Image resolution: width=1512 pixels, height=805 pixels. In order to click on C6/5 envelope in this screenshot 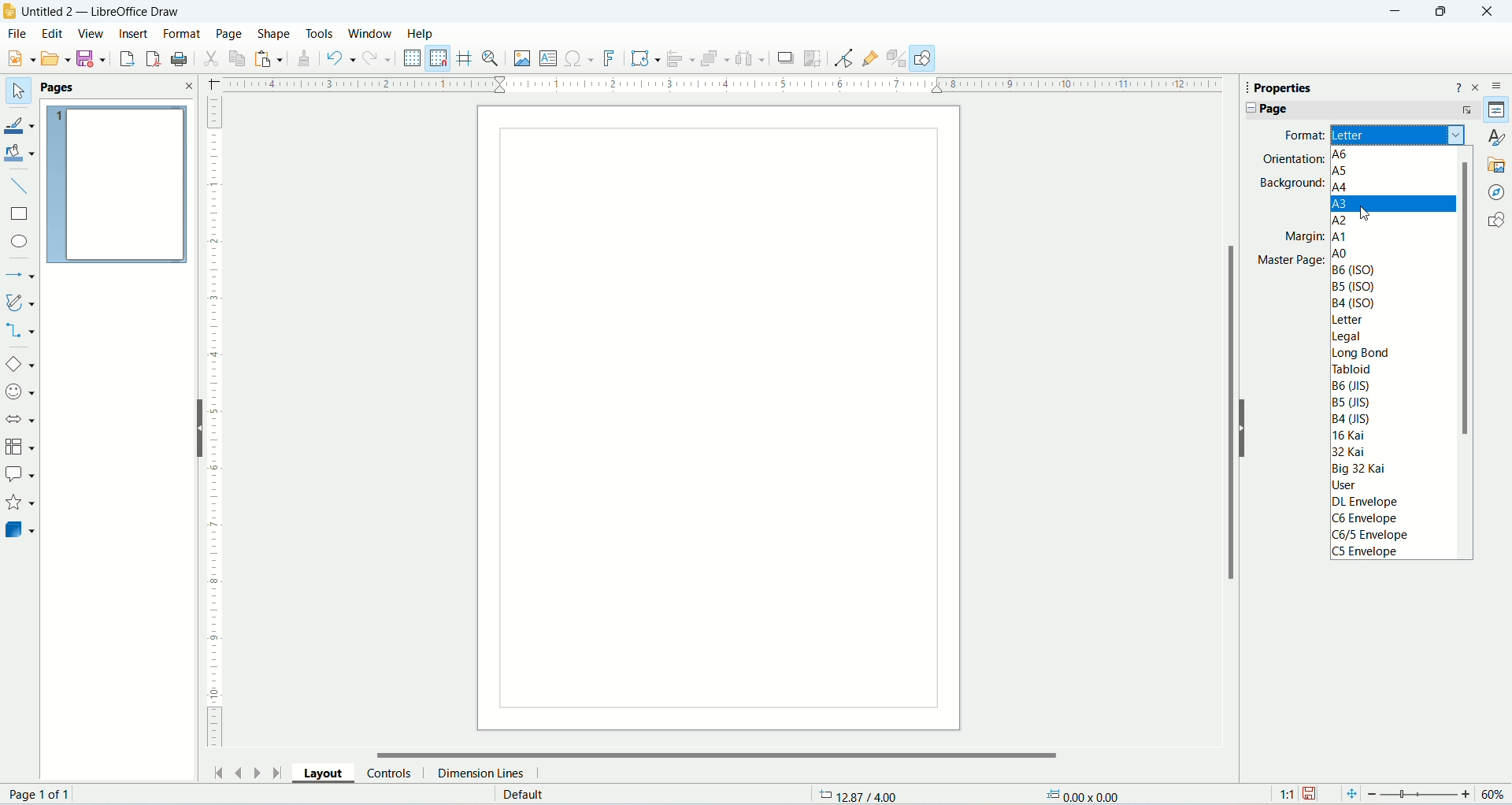, I will do `click(1371, 535)`.